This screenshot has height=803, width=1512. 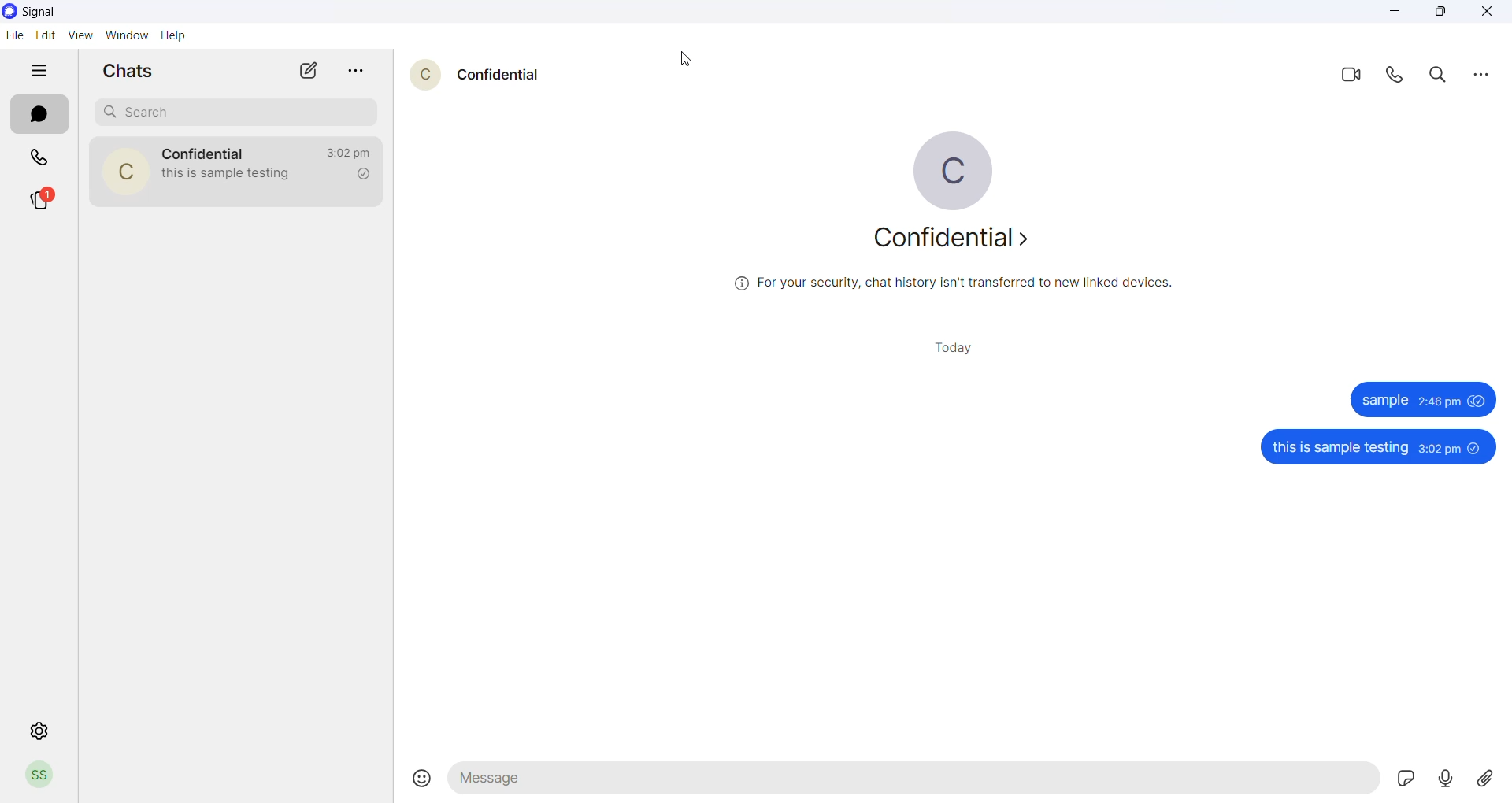 What do you see at coordinates (39, 776) in the screenshot?
I see `profile` at bounding box center [39, 776].